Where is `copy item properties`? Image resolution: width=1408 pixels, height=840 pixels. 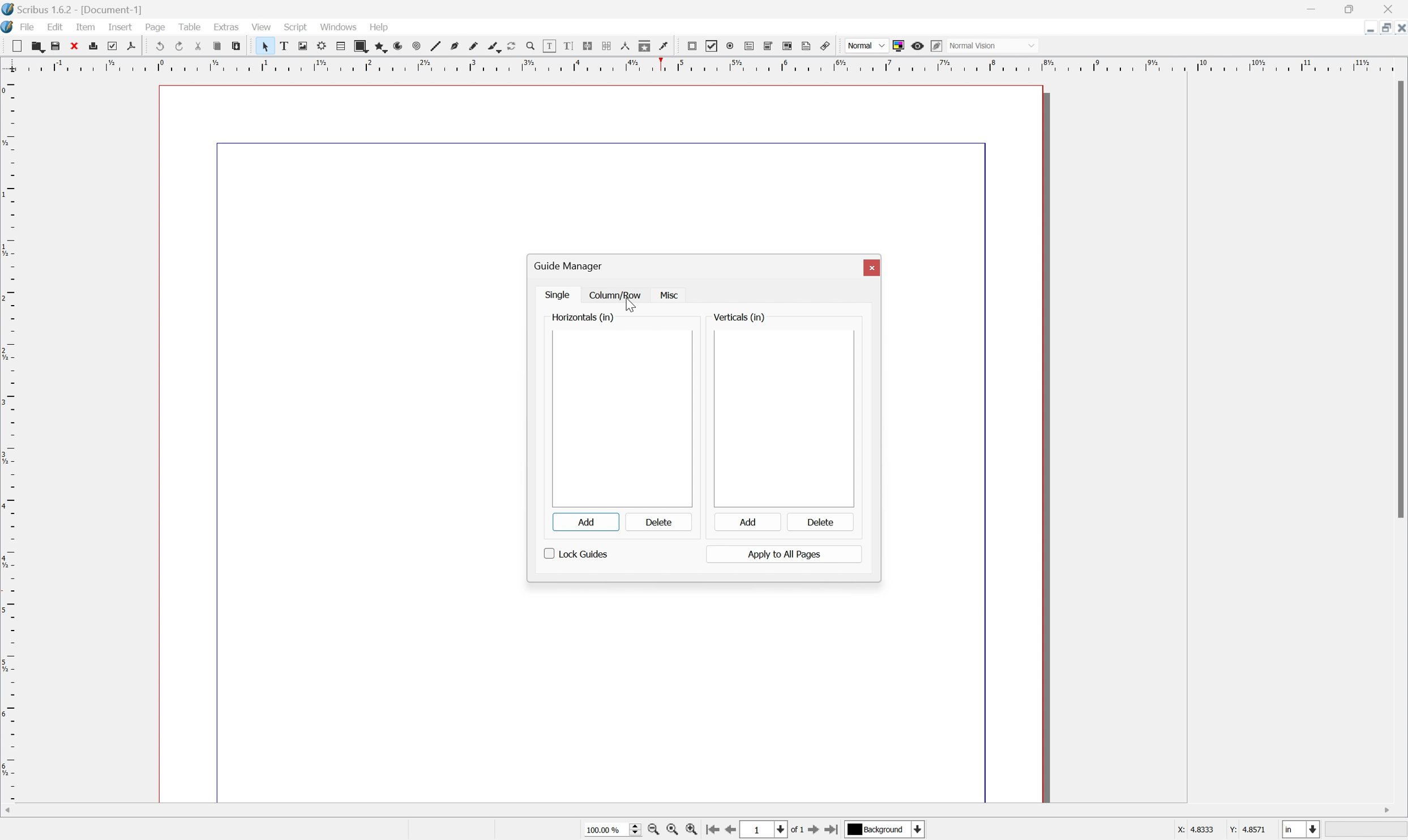
copy item properties is located at coordinates (645, 46).